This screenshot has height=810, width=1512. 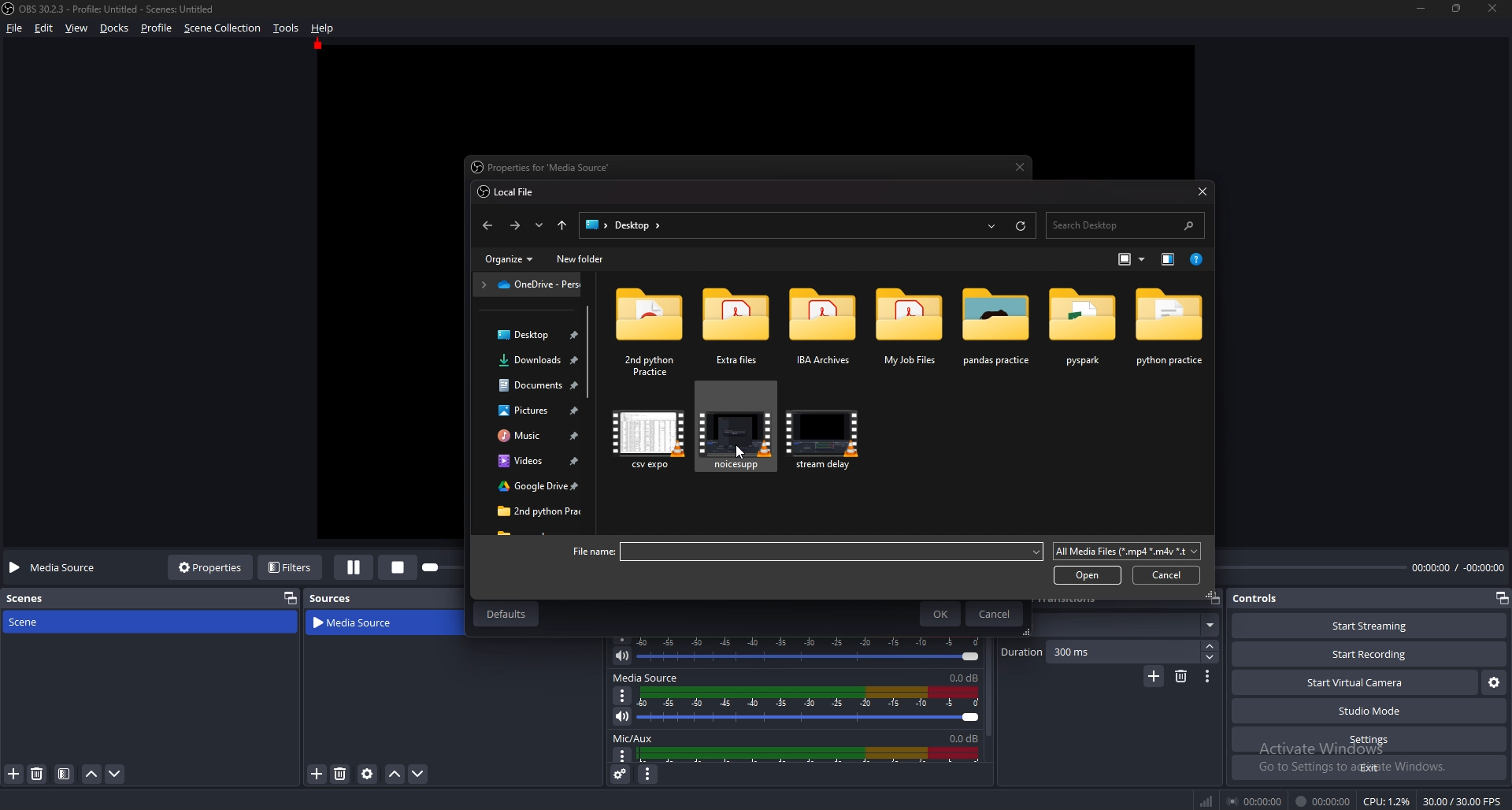 What do you see at coordinates (580, 260) in the screenshot?
I see `New folder` at bounding box center [580, 260].